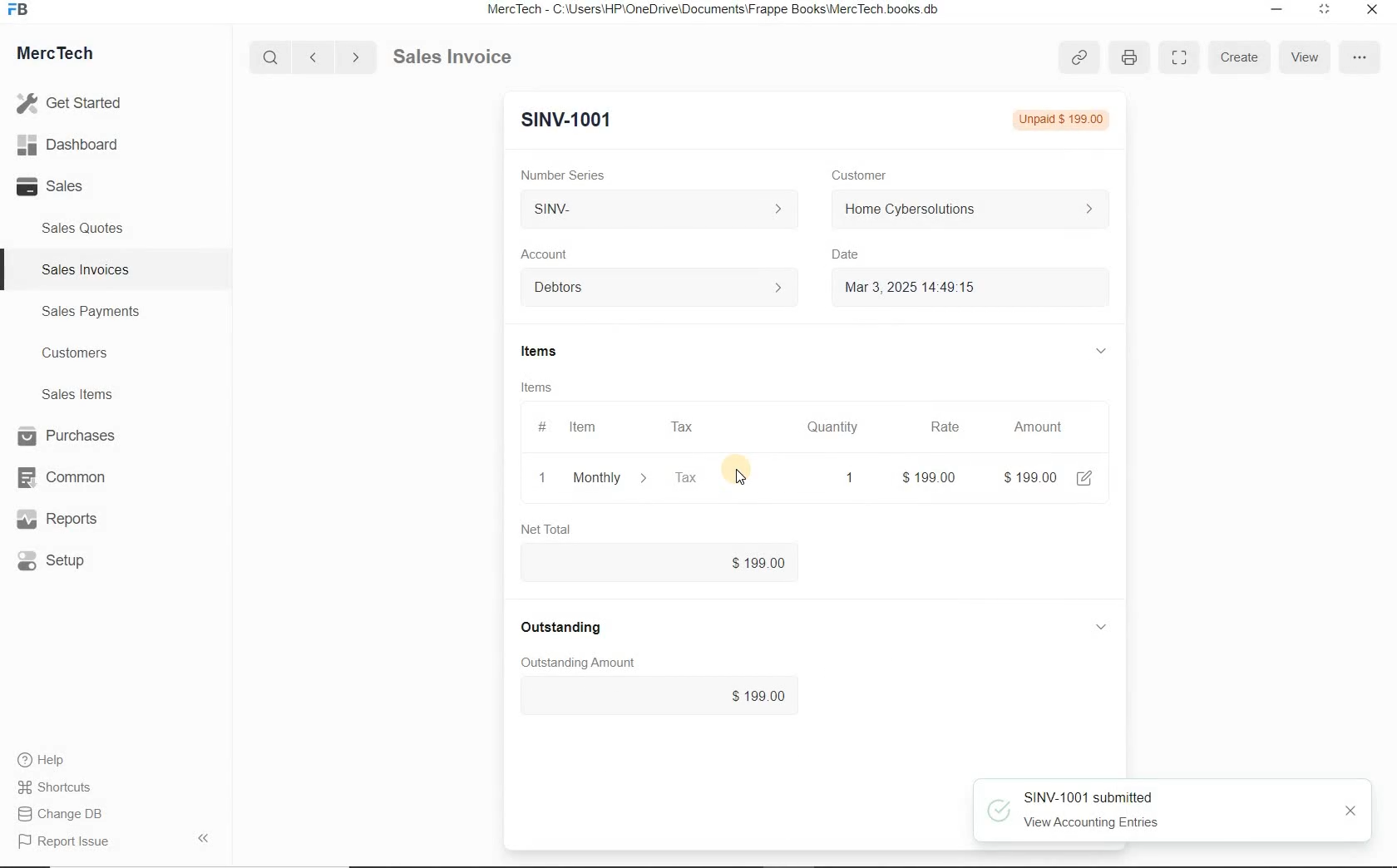  I want to click on Sales Invoices, so click(86, 269).